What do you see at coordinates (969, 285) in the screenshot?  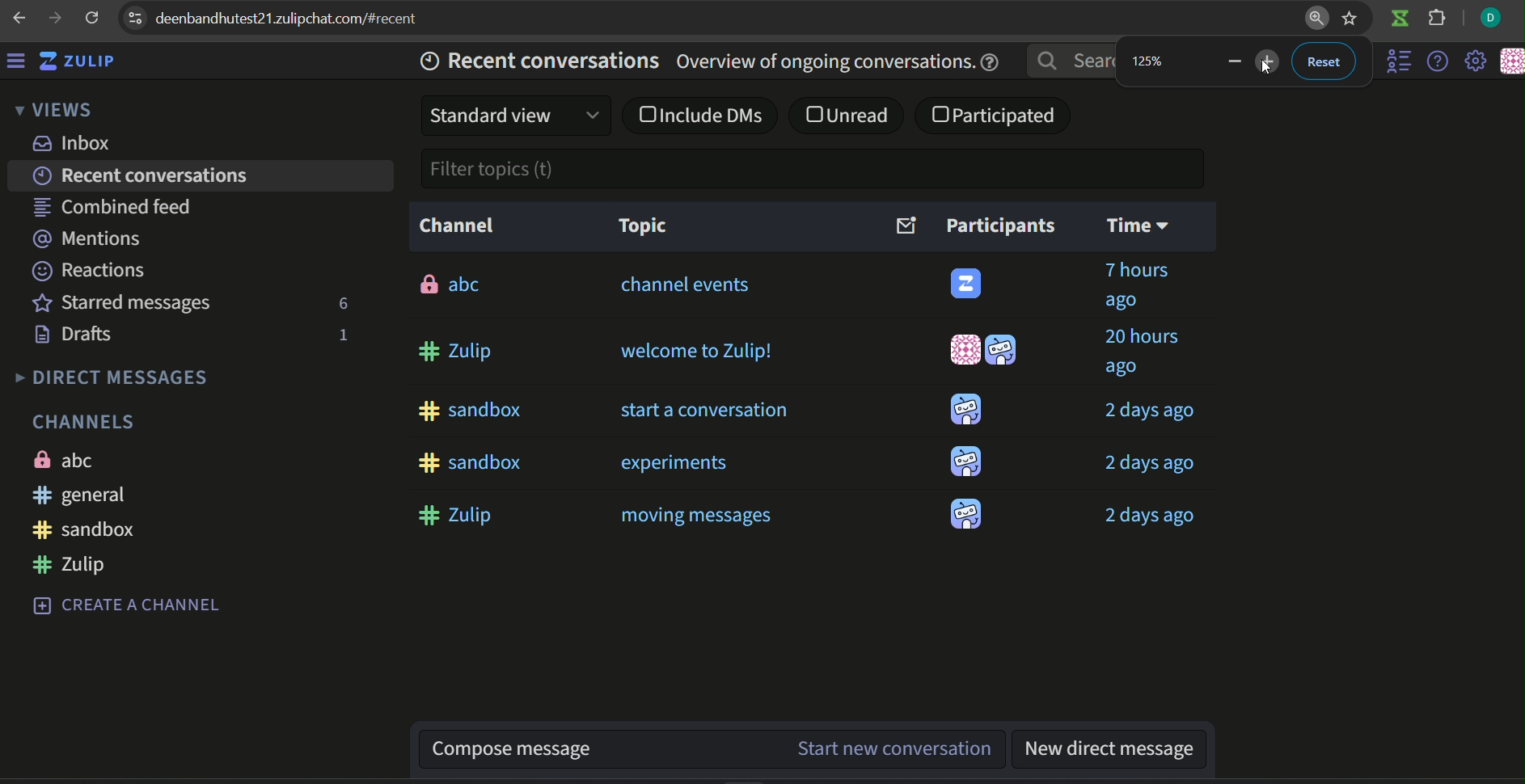 I see `icon` at bounding box center [969, 285].